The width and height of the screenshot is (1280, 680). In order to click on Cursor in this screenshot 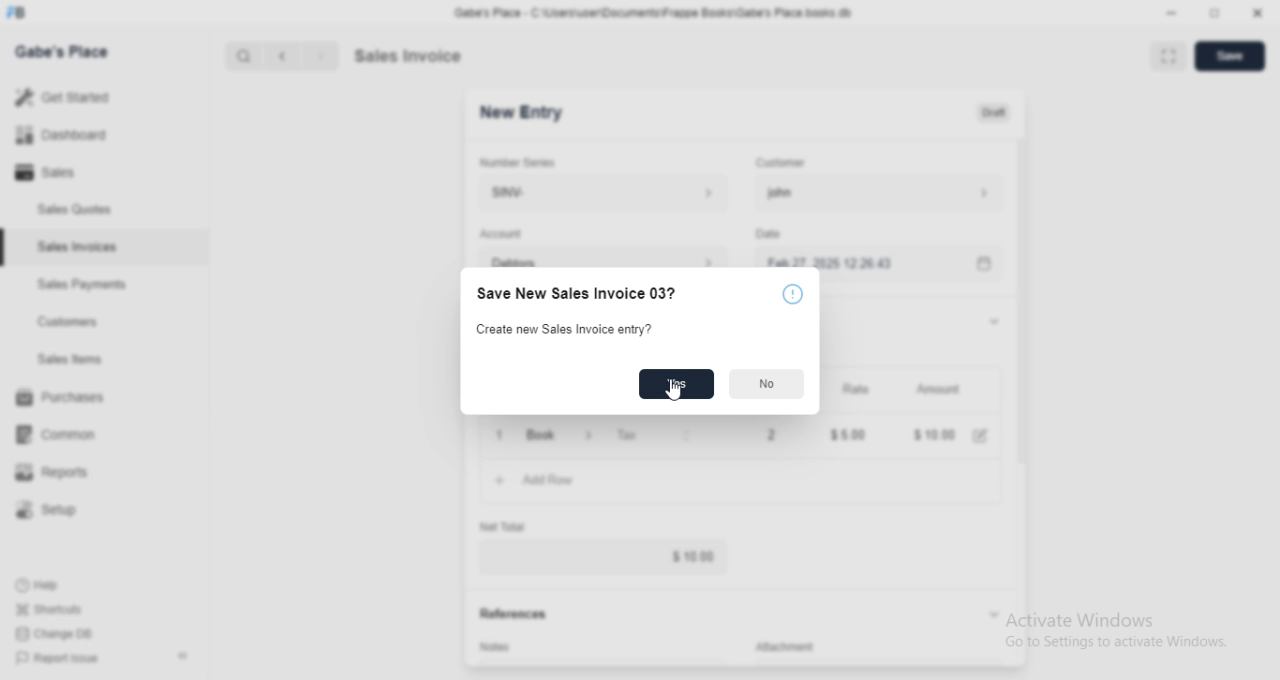, I will do `click(675, 389)`.